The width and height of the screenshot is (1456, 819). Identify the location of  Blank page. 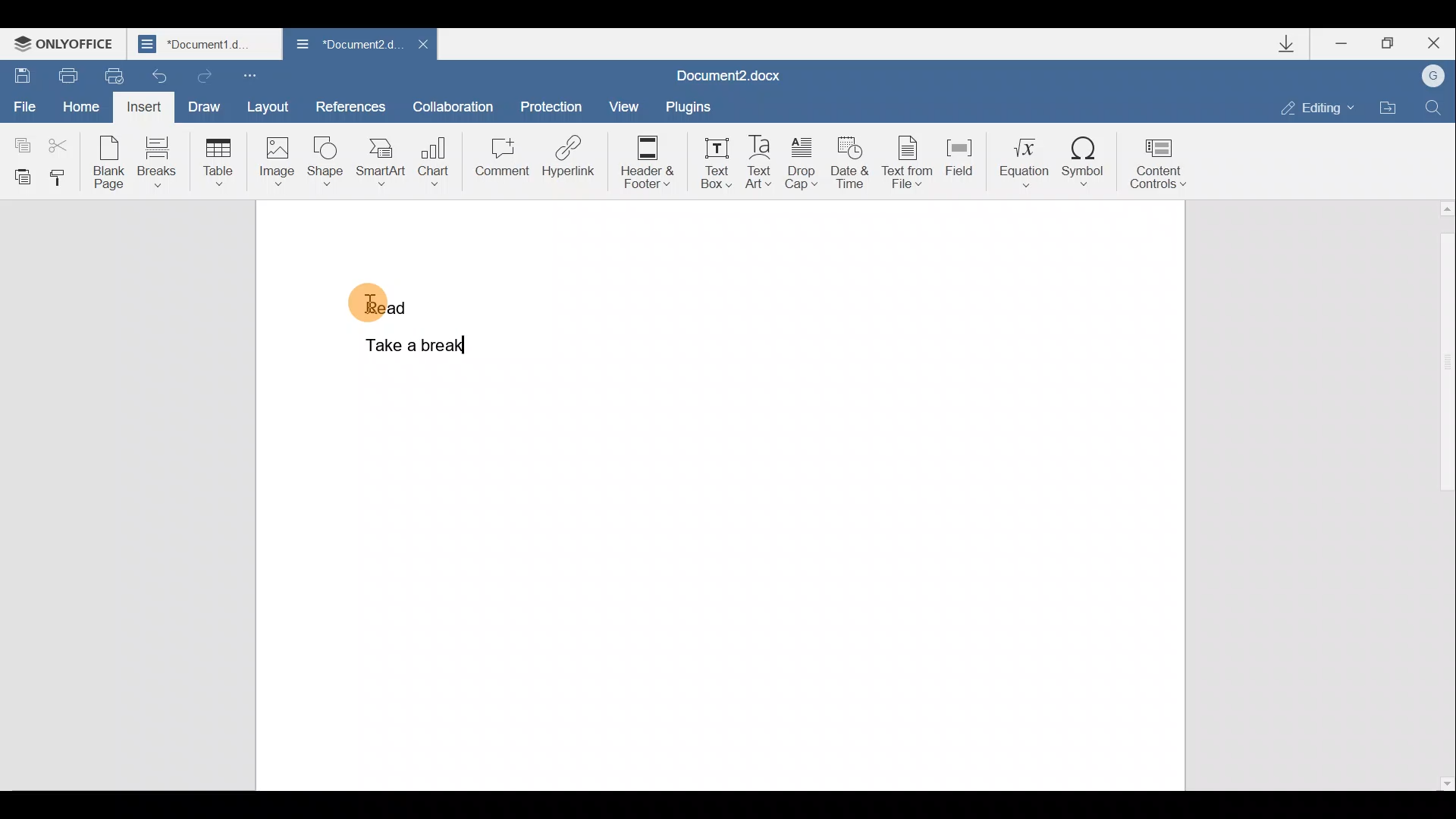
(109, 162).